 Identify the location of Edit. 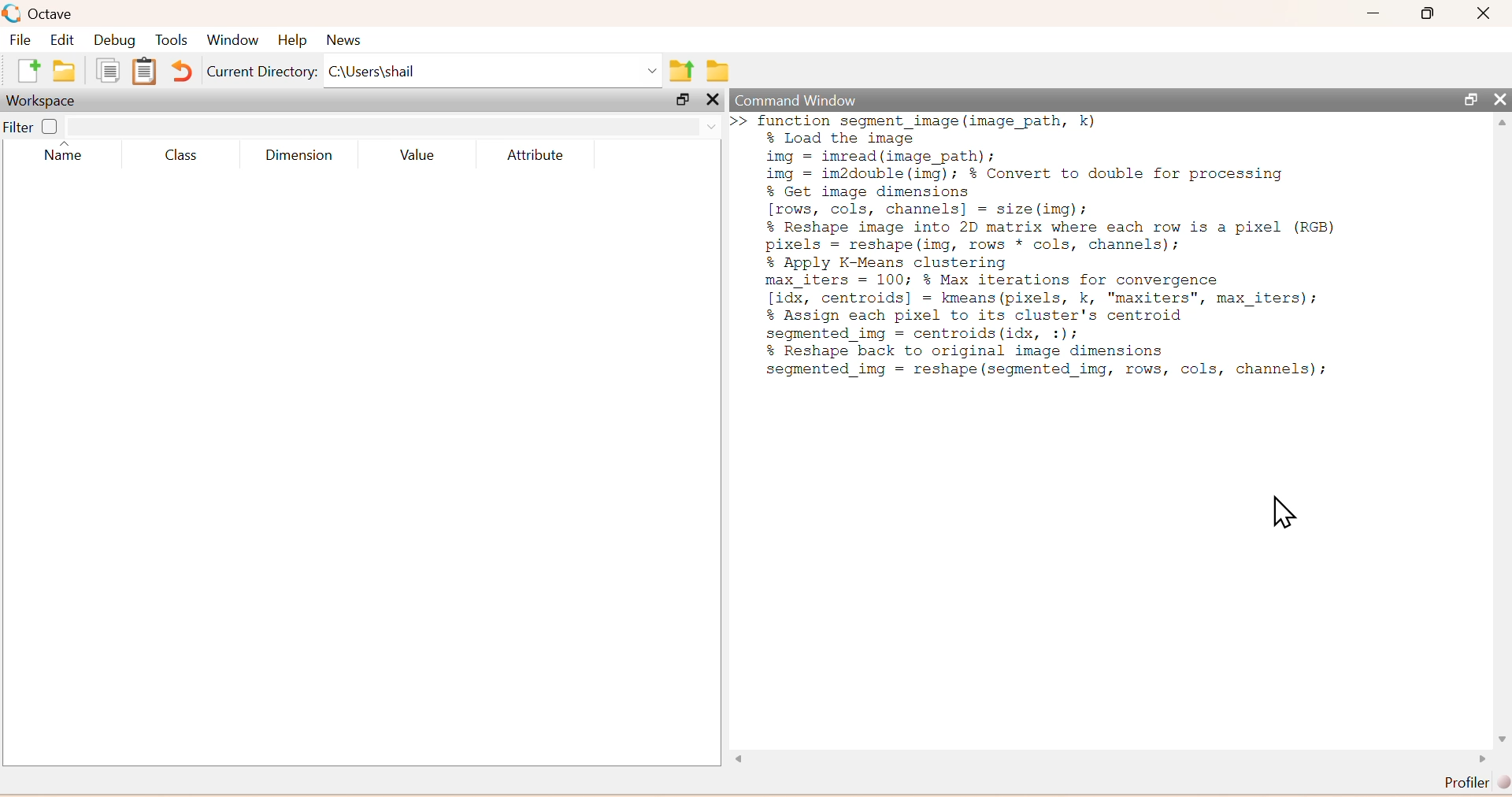
(64, 40).